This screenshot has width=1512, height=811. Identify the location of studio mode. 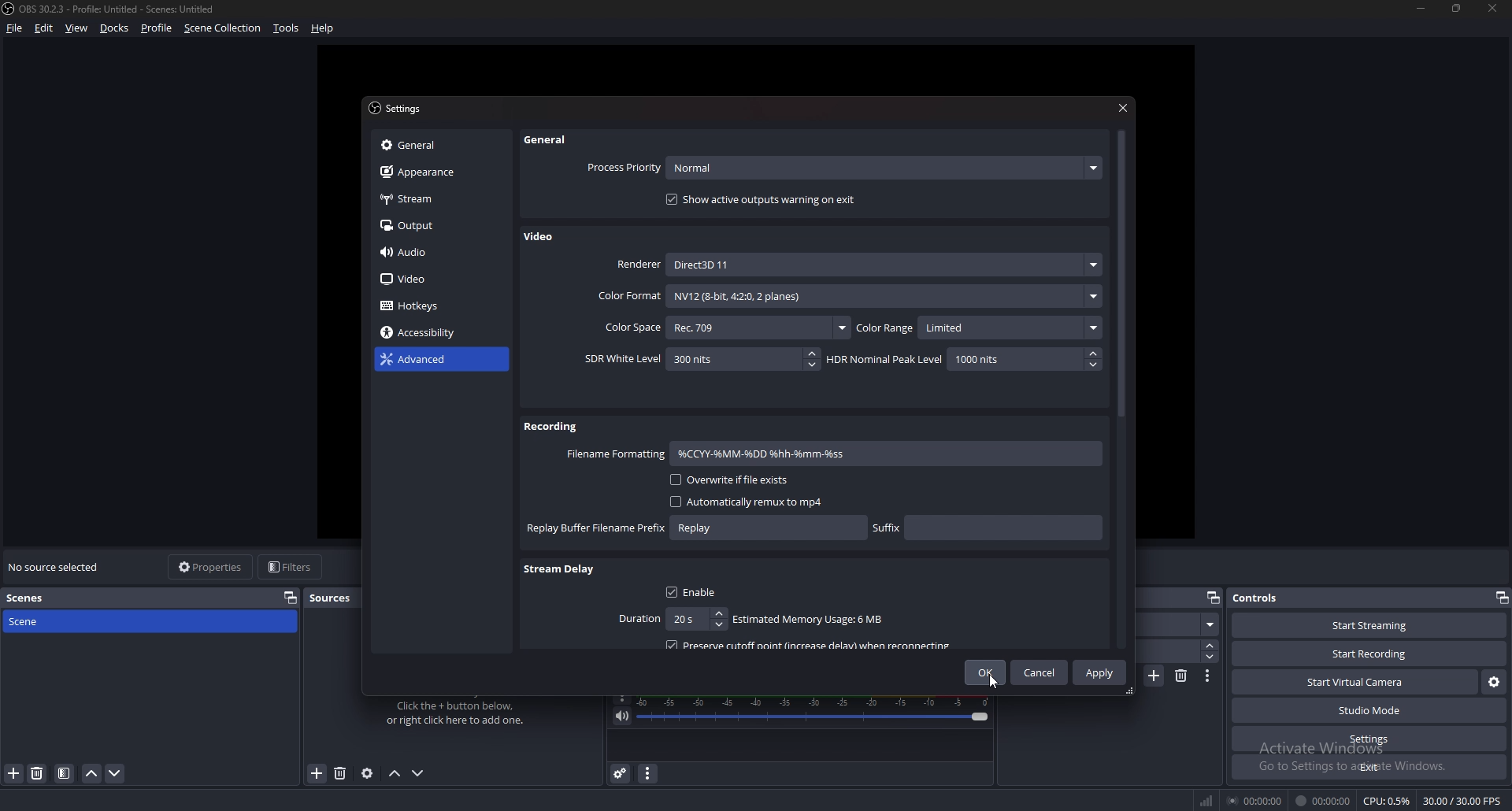
(1370, 711).